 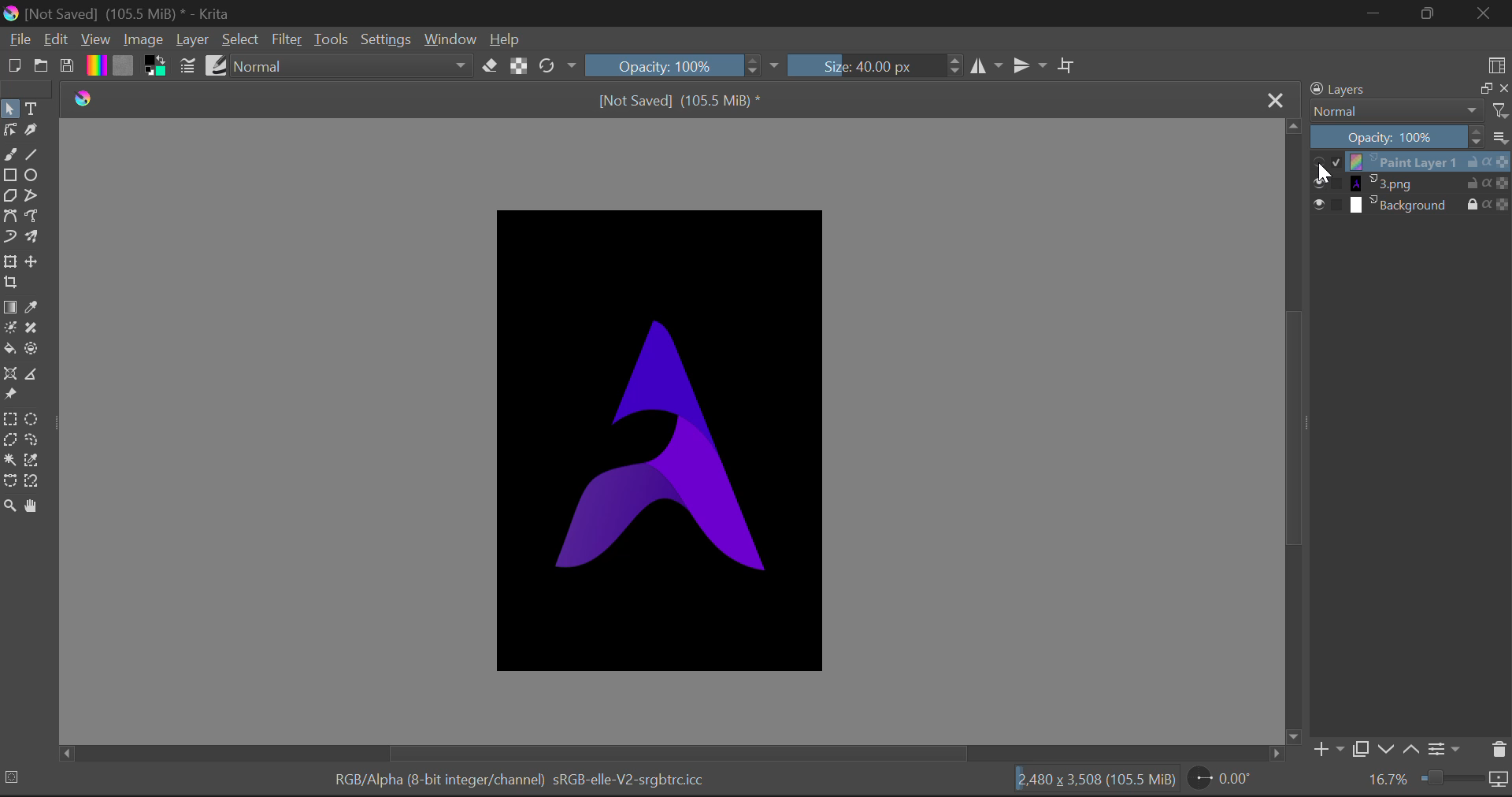 I want to click on Bezier Curve, so click(x=10, y=216).